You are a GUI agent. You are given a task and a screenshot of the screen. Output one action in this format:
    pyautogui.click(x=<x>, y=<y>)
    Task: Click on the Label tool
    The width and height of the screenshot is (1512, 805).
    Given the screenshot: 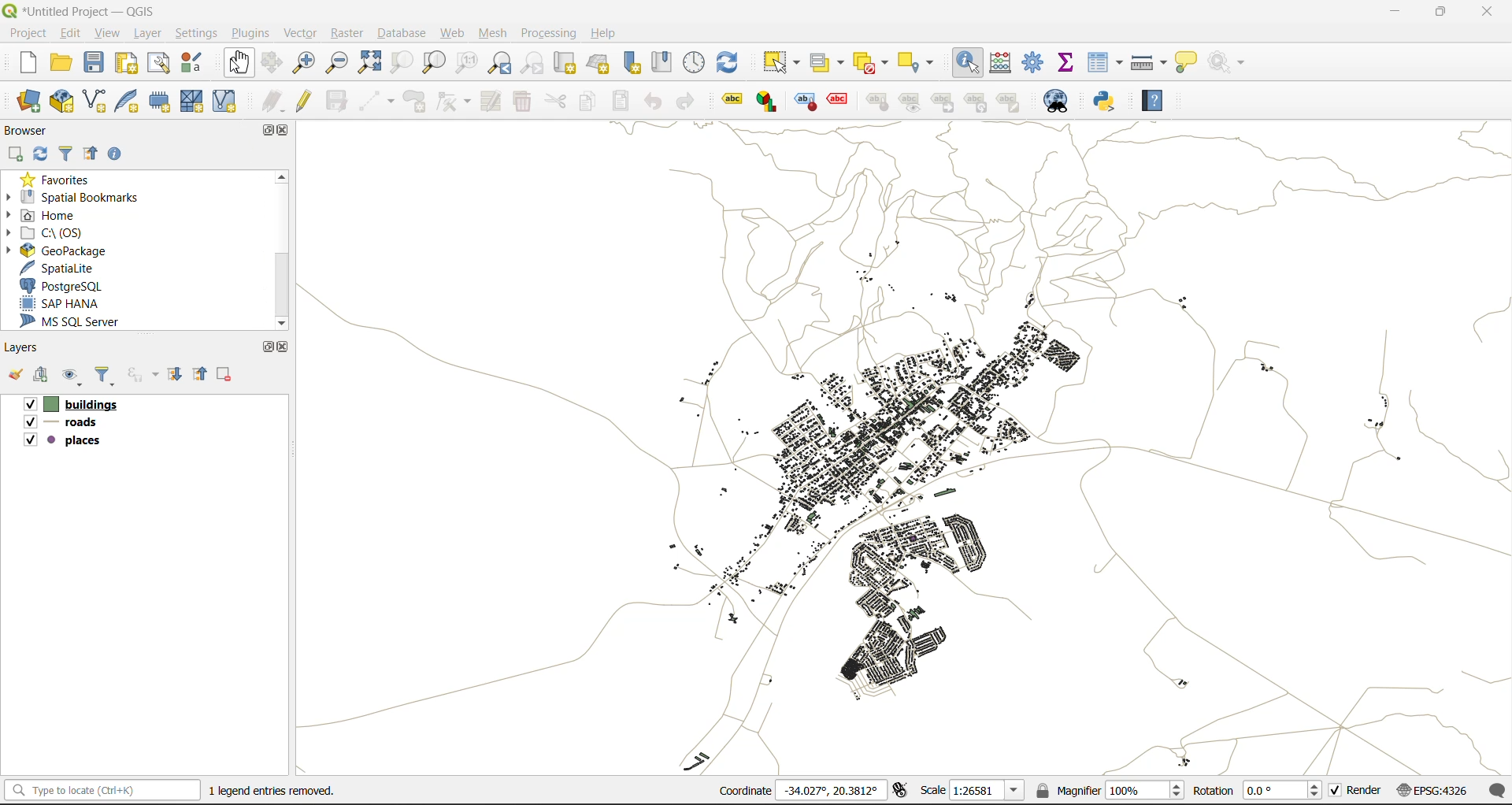 What is the action you would take?
    pyautogui.click(x=732, y=102)
    